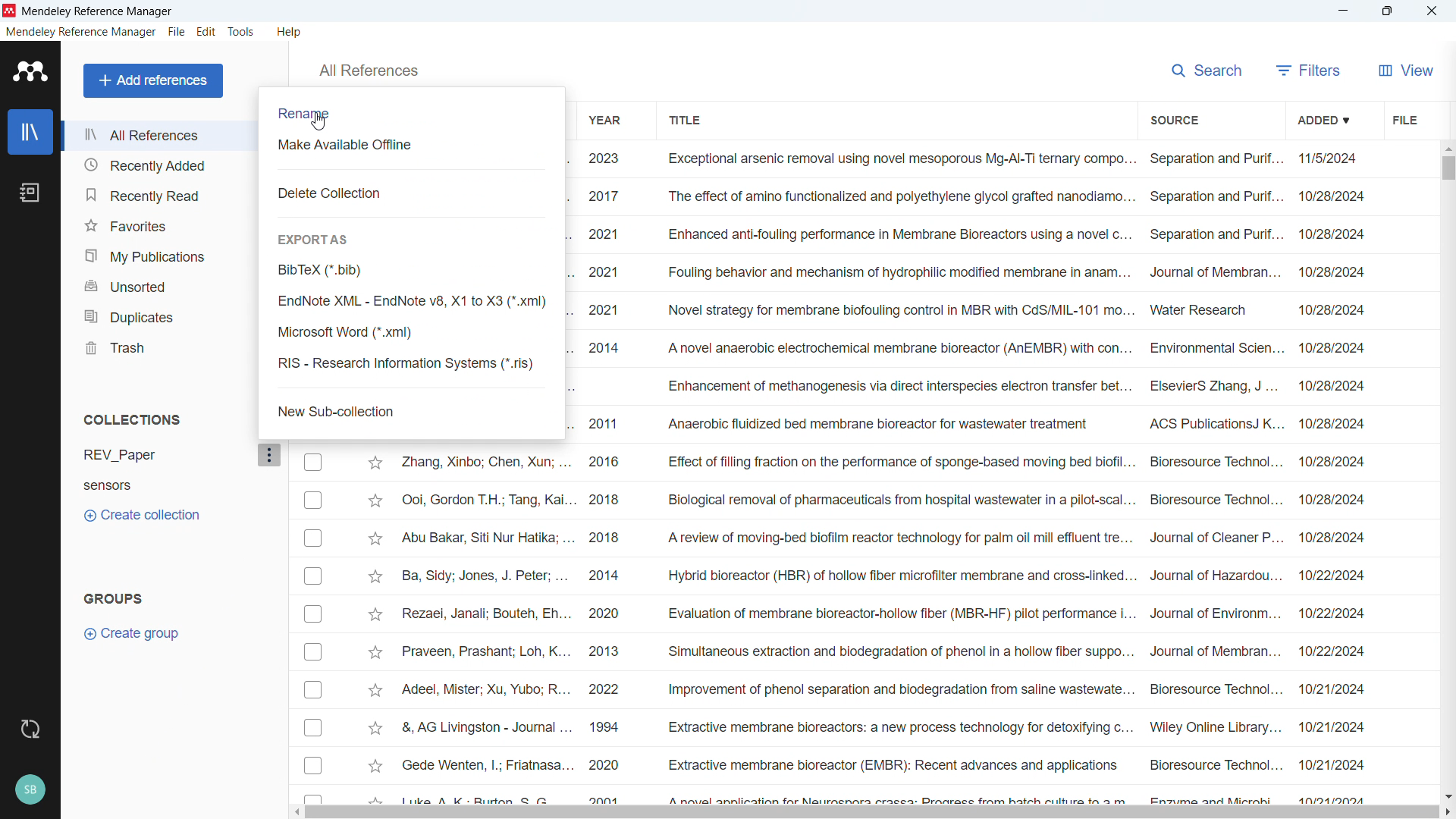  I want to click on File , so click(177, 31).